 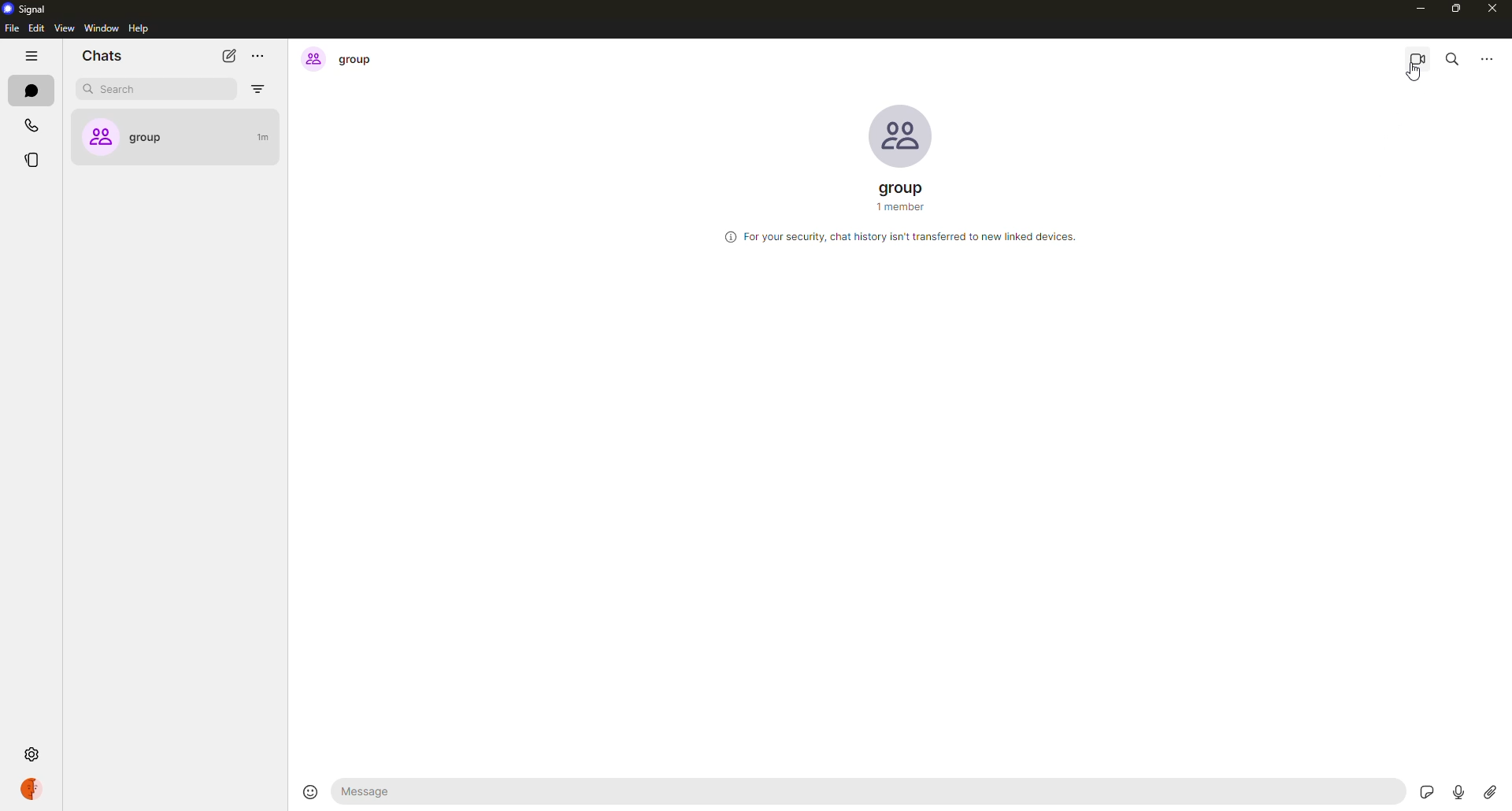 What do you see at coordinates (31, 755) in the screenshot?
I see `settings` at bounding box center [31, 755].